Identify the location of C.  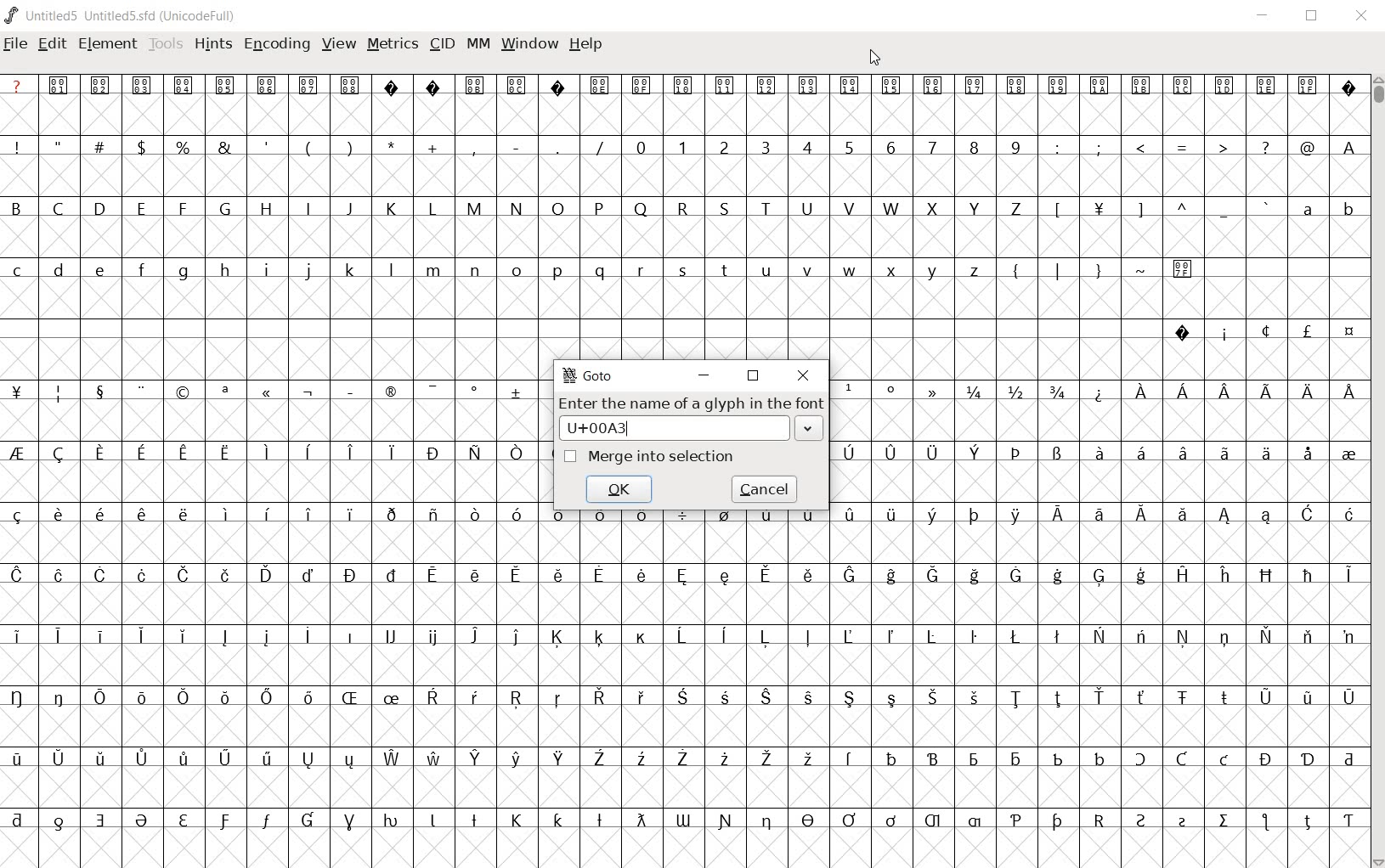
(60, 210).